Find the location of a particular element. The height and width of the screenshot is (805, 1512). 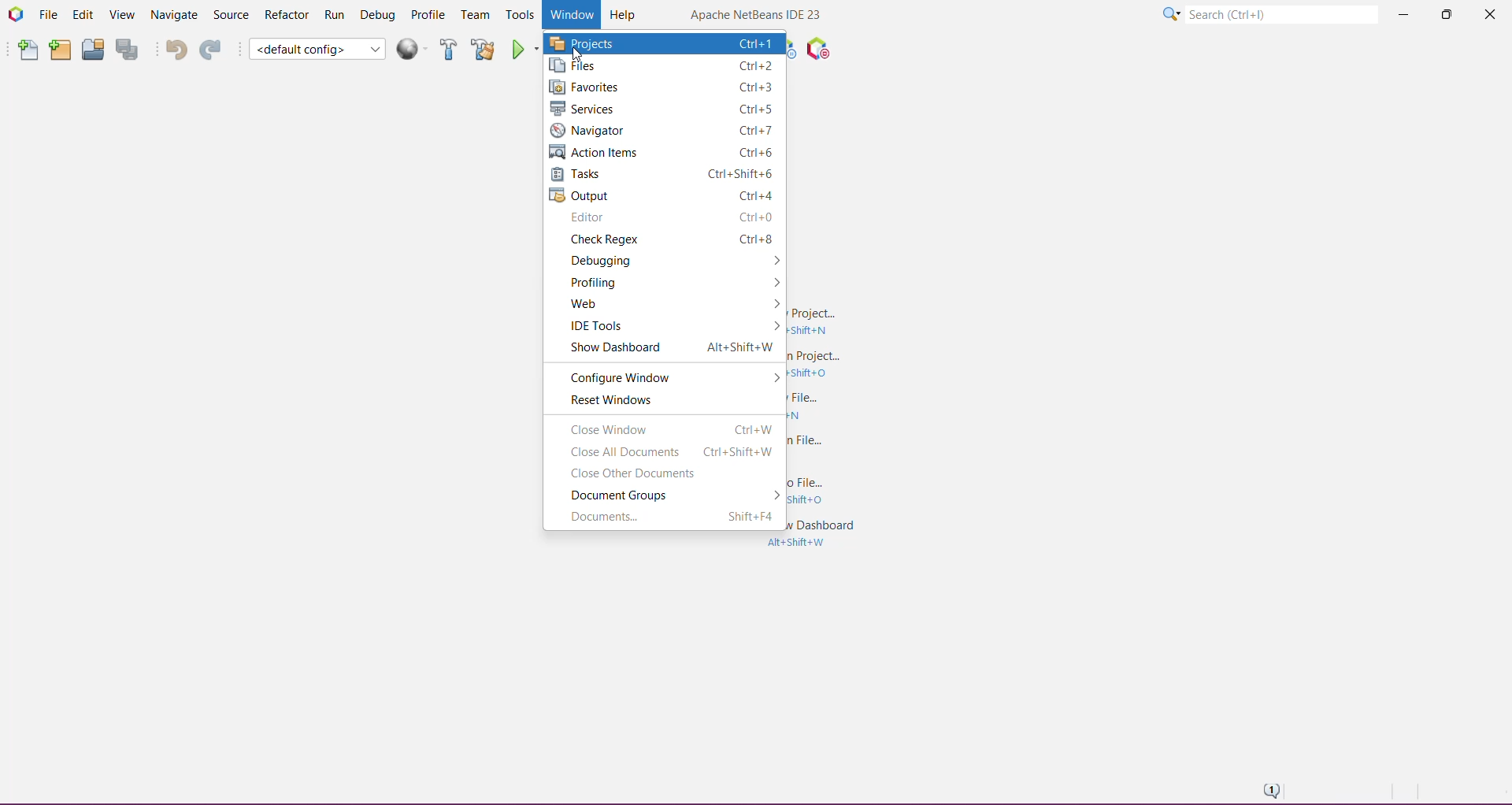

Edit is located at coordinates (82, 16).